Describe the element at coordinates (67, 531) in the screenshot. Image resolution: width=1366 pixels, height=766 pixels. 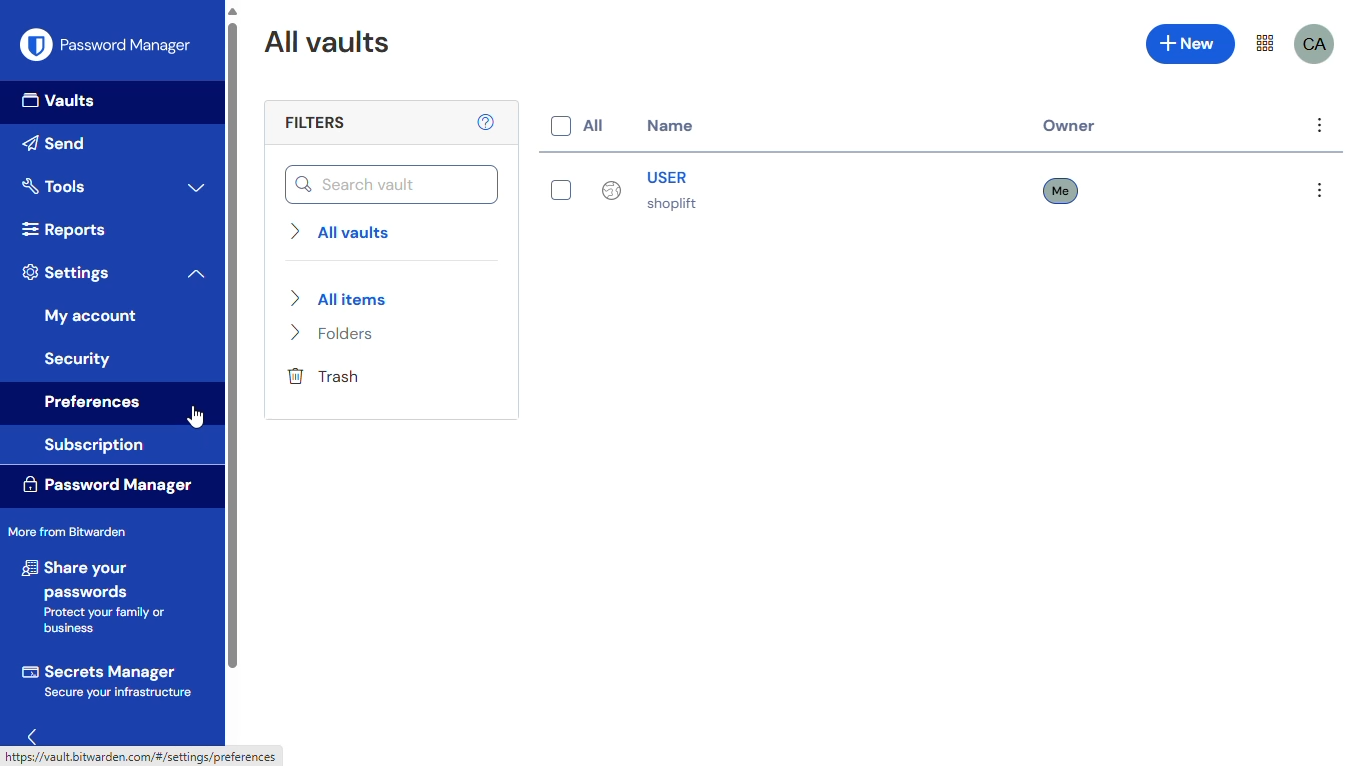
I see `more from bitwarden` at that location.